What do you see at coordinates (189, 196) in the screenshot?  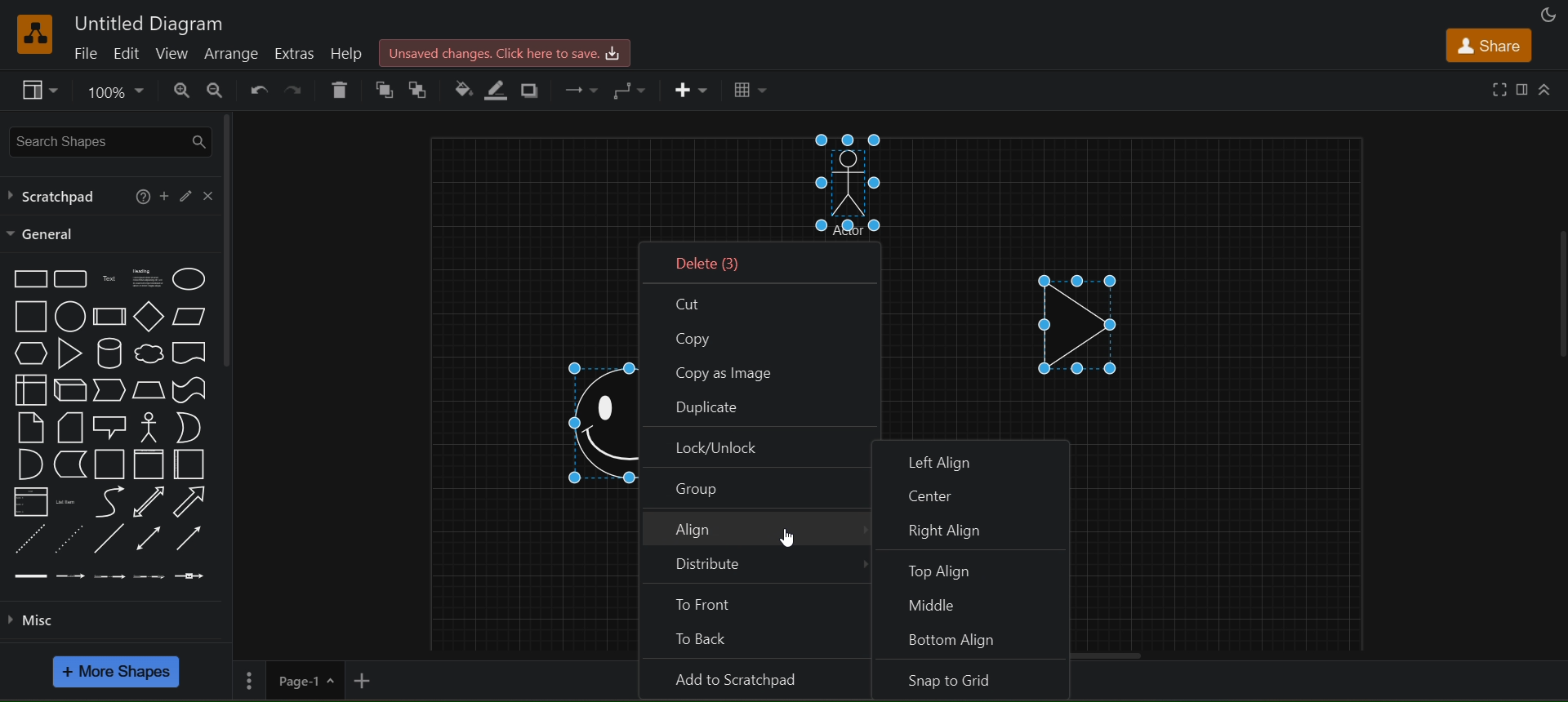 I see `edit` at bounding box center [189, 196].